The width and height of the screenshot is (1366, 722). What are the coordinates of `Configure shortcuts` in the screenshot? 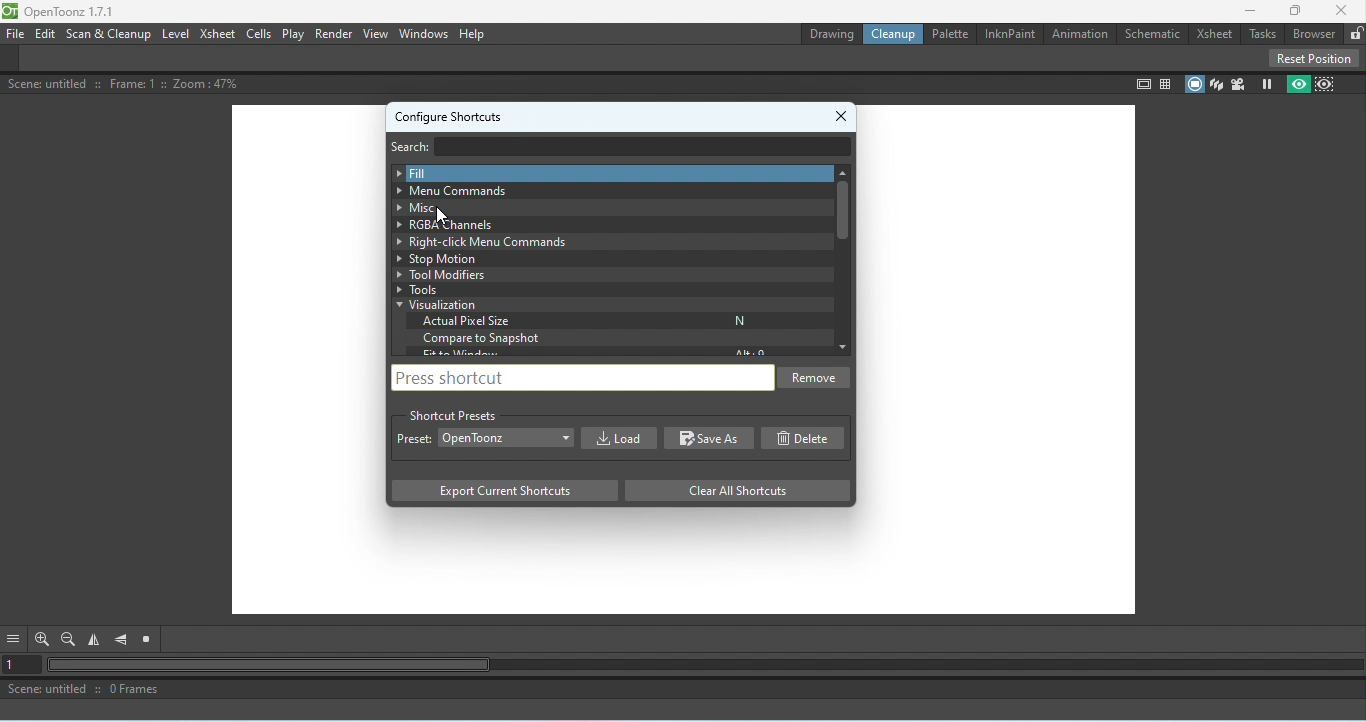 It's located at (449, 114).